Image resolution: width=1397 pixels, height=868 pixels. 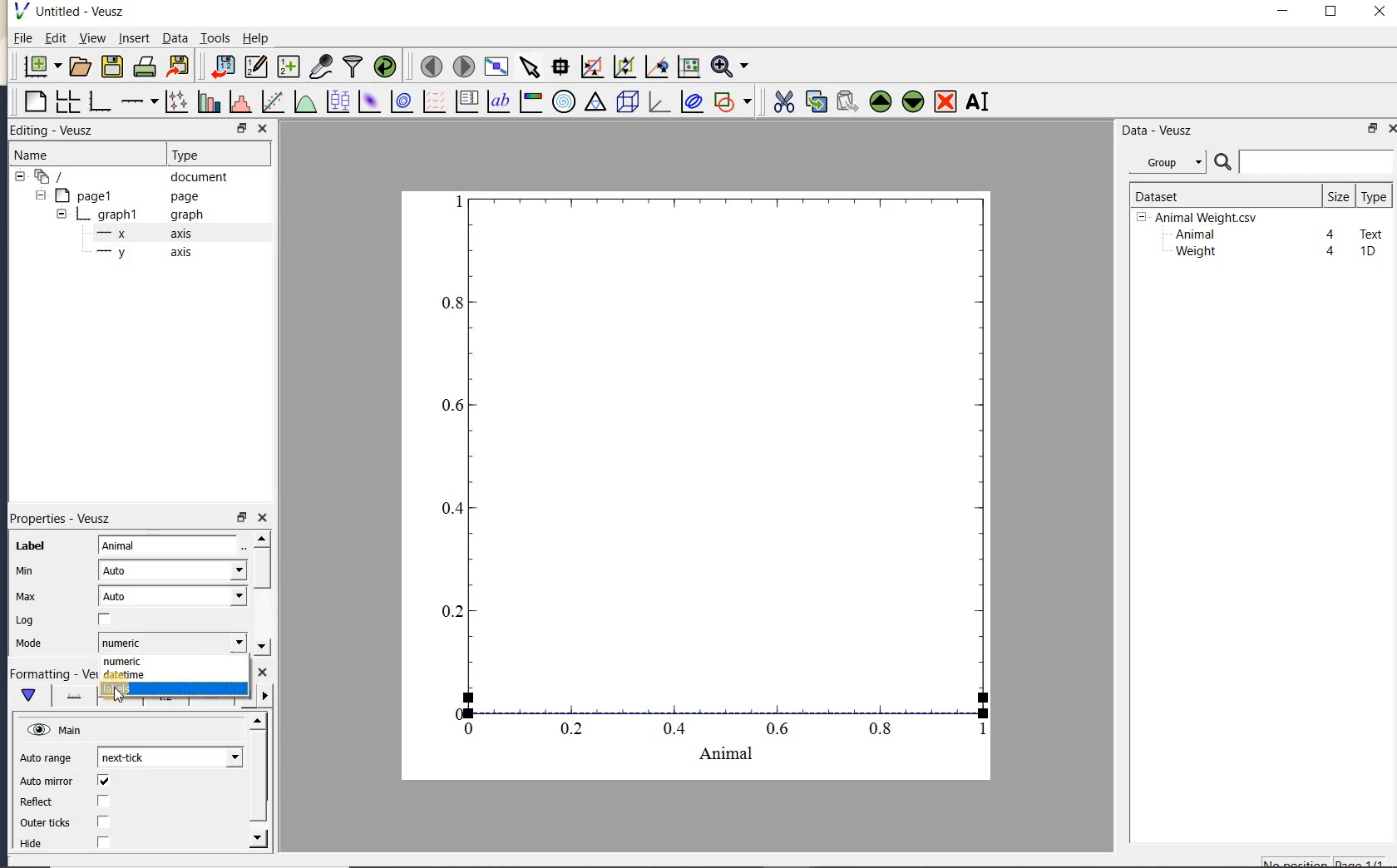 I want to click on blank page, so click(x=33, y=102).